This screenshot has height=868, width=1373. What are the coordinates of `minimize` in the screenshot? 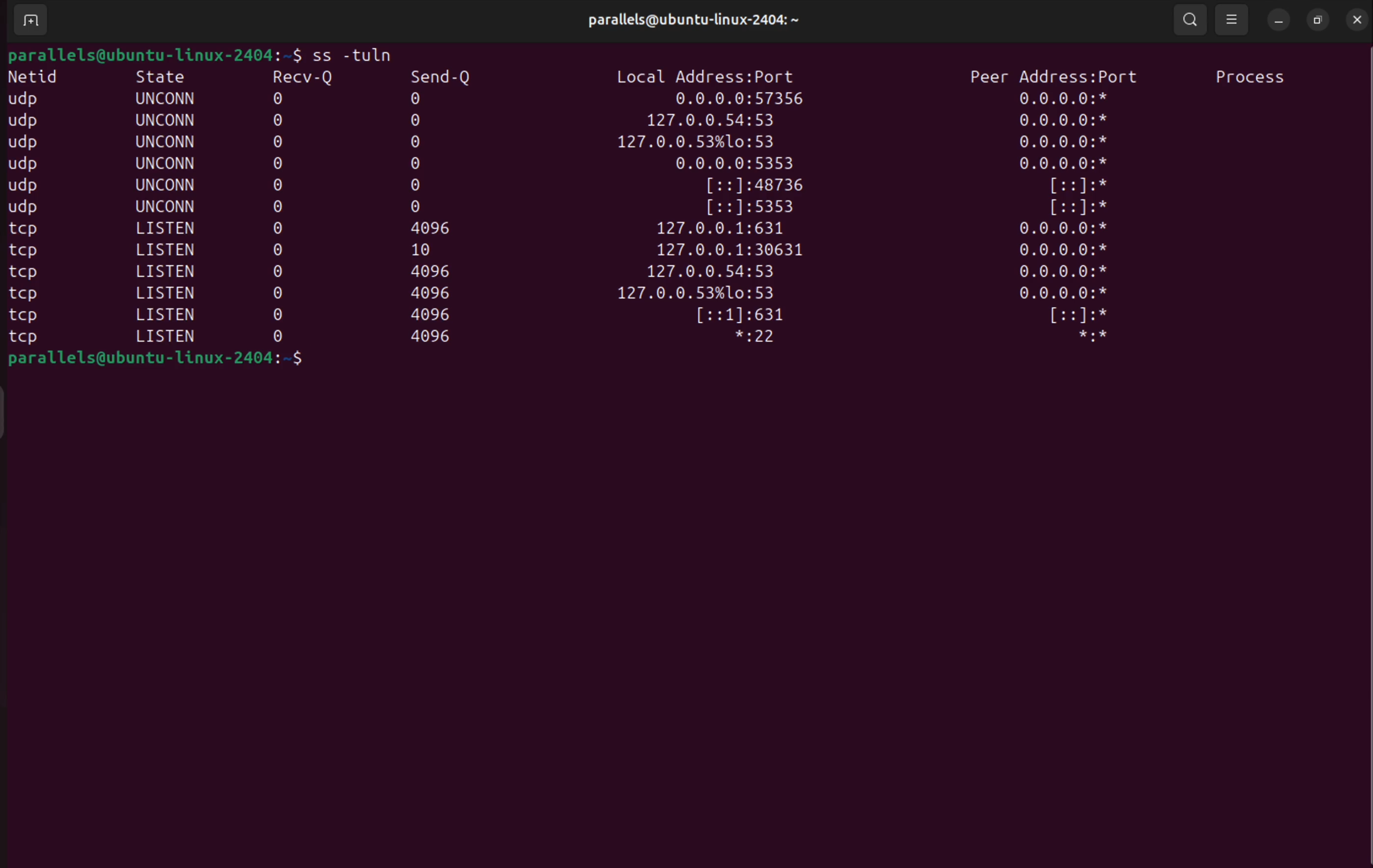 It's located at (1279, 20).